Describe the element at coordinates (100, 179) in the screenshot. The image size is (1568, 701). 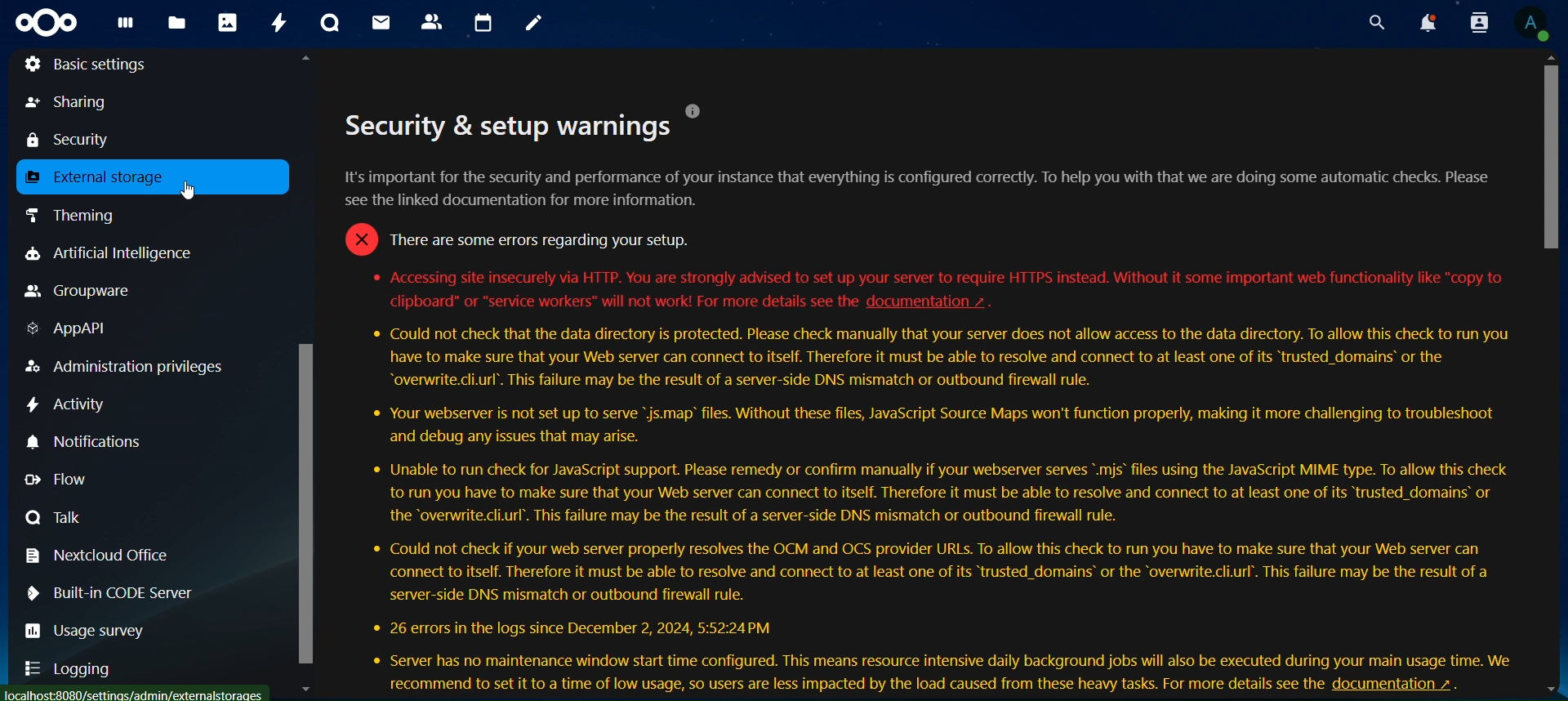
I see `external storage` at that location.